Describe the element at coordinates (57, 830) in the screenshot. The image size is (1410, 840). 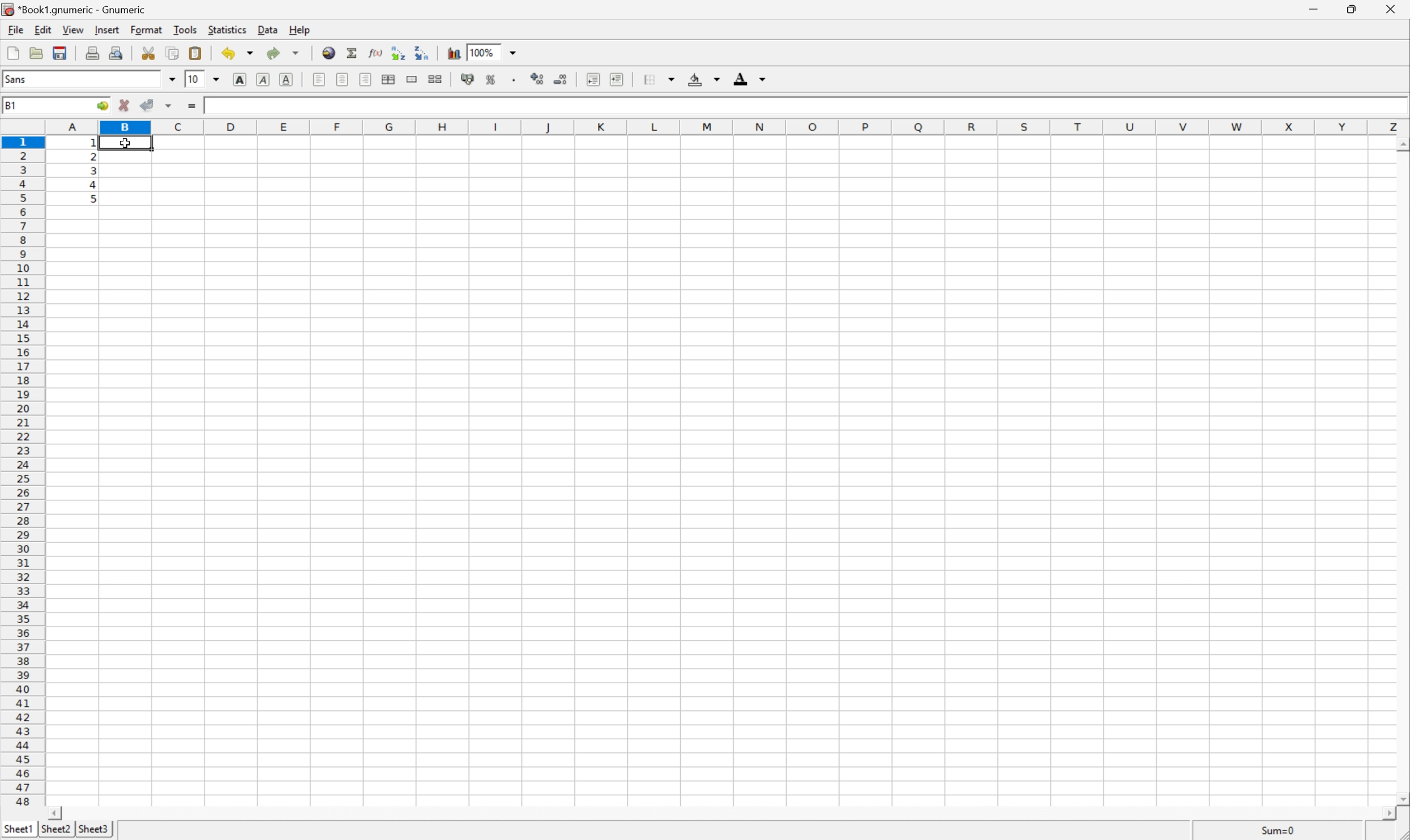
I see `Sheet2` at that location.